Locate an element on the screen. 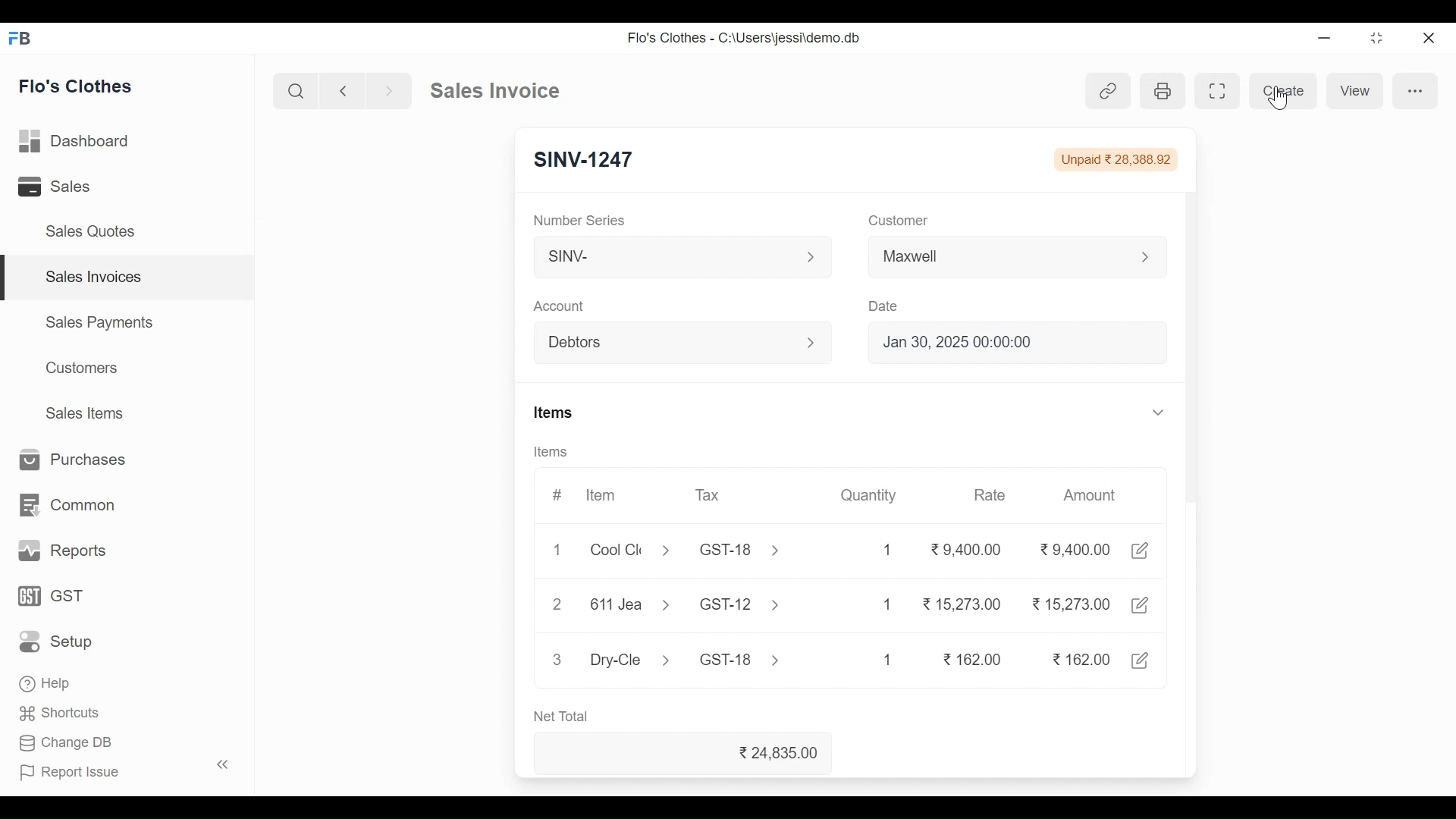  Tax is located at coordinates (711, 495).